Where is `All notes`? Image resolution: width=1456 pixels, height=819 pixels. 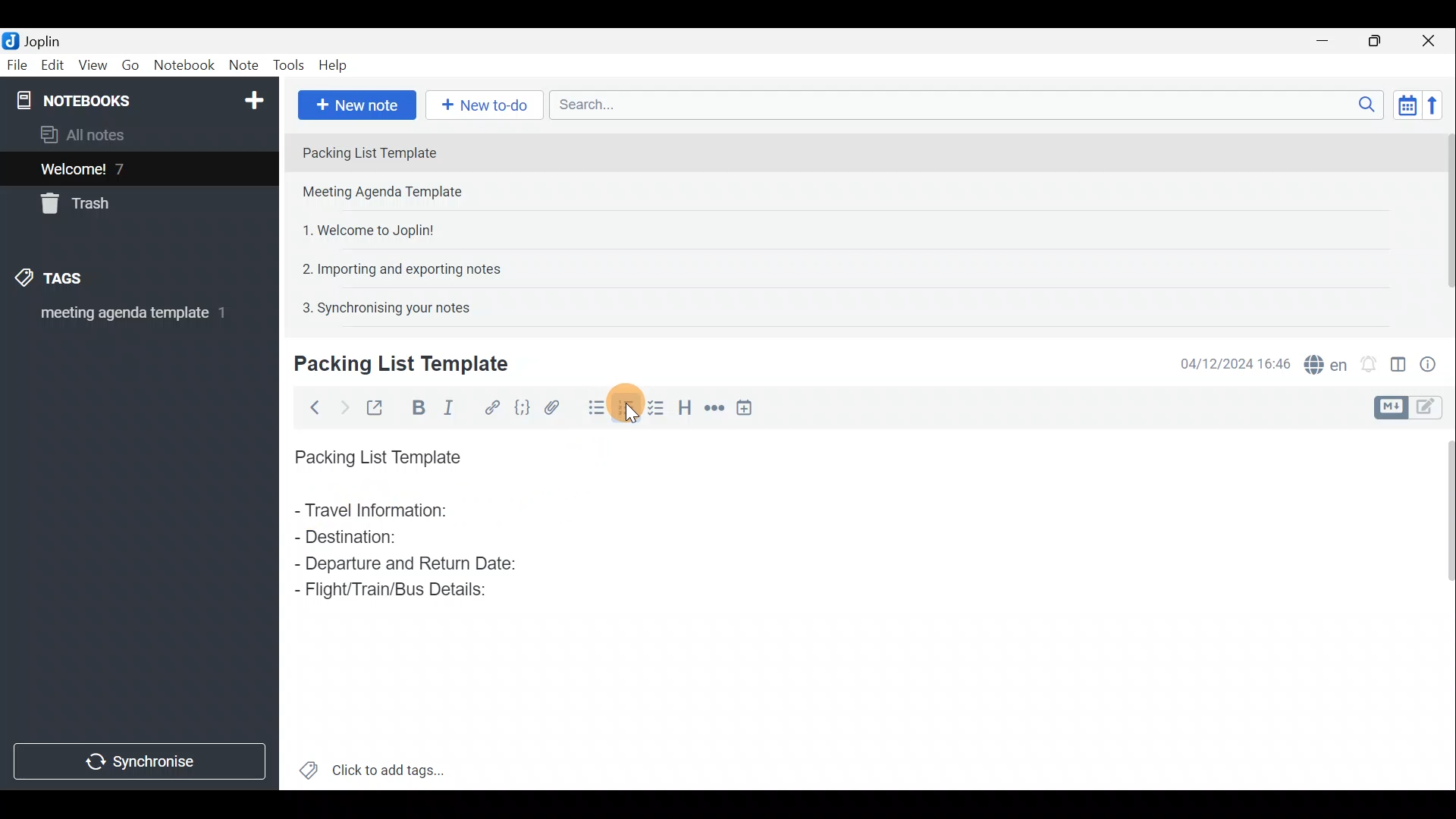
All notes is located at coordinates (88, 134).